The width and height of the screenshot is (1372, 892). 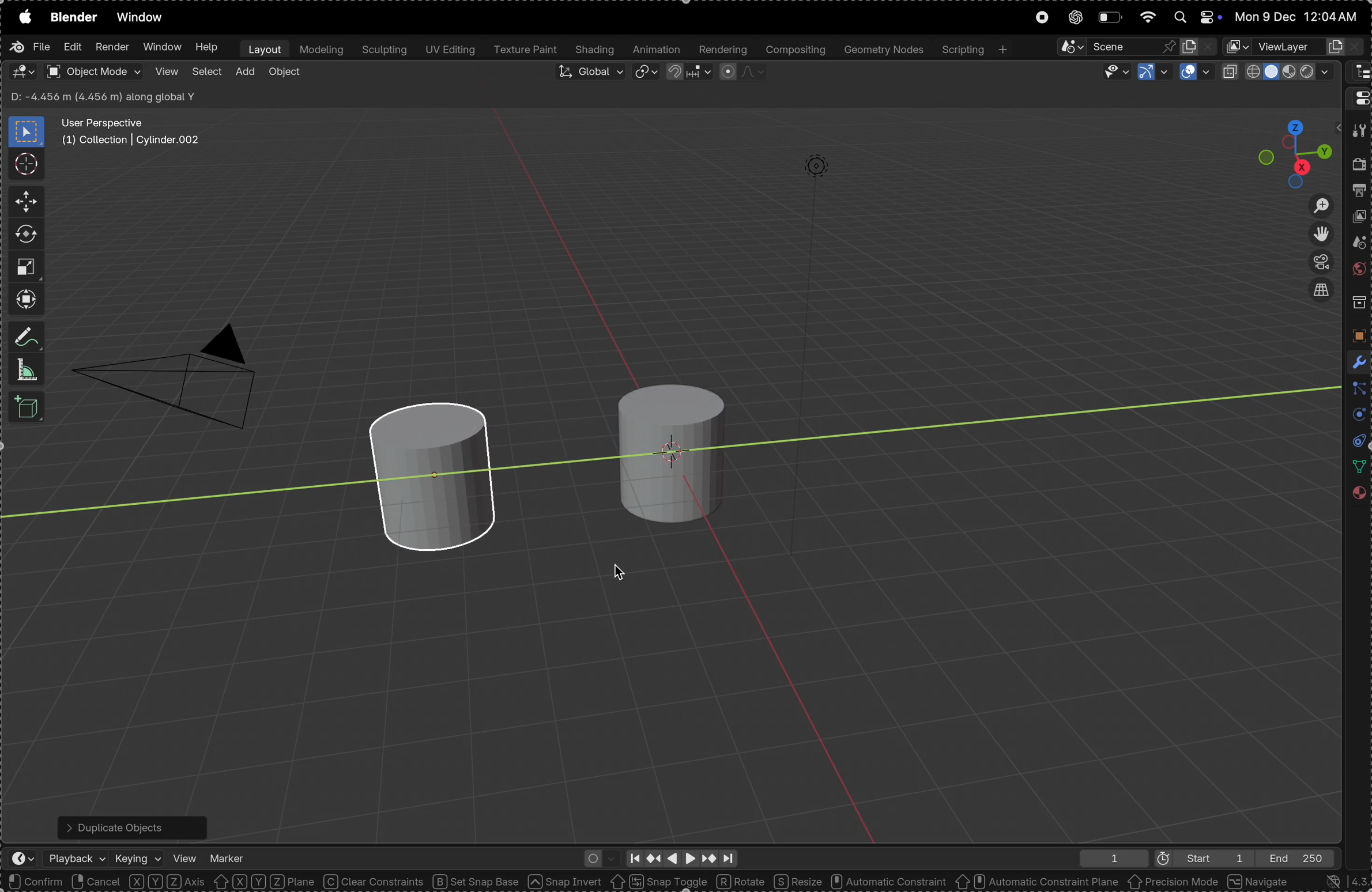 What do you see at coordinates (1359, 167) in the screenshot?
I see `render` at bounding box center [1359, 167].